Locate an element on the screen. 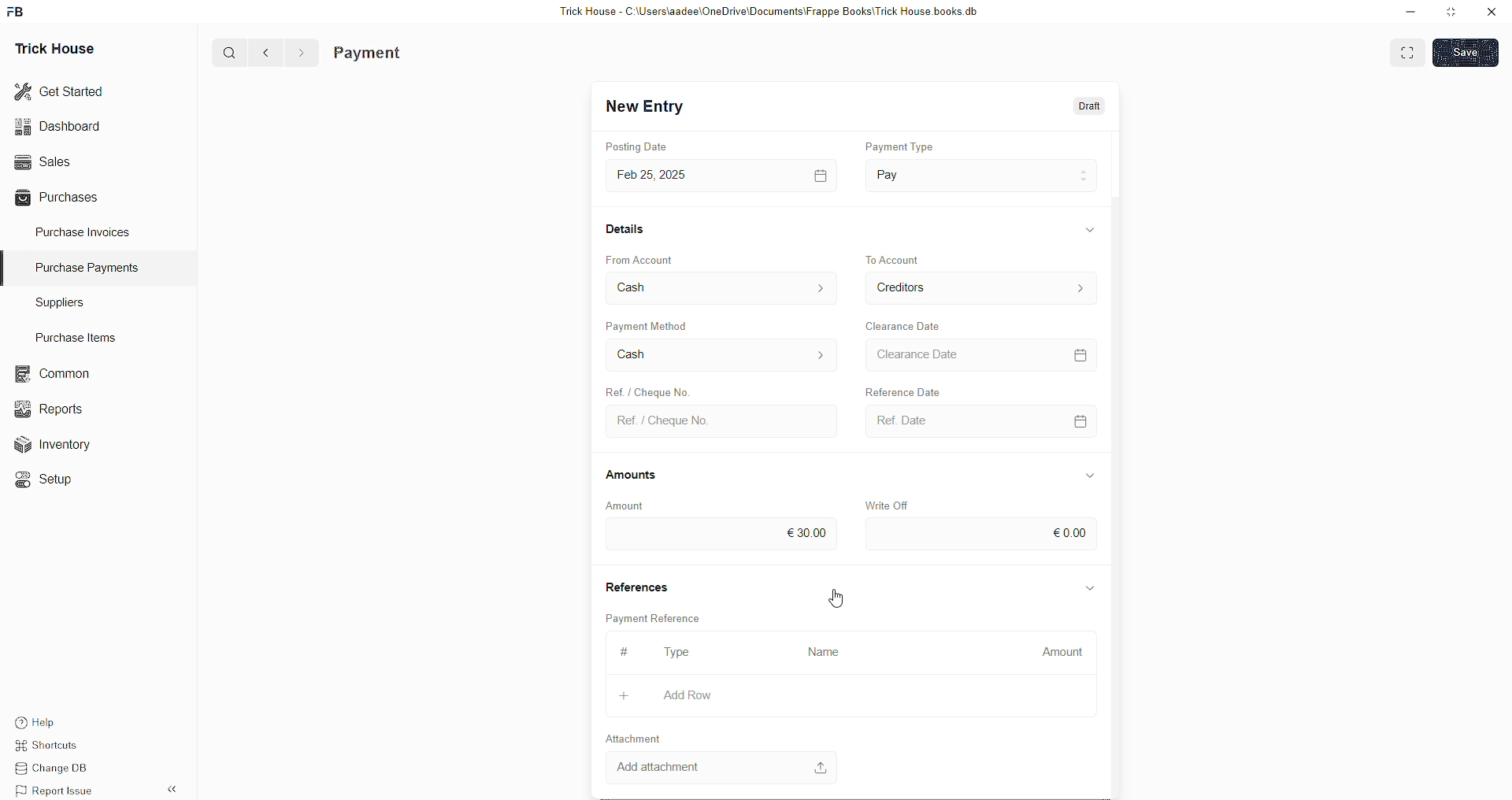 Image resolution: width=1512 pixels, height=800 pixels. Write Off is located at coordinates (884, 503).